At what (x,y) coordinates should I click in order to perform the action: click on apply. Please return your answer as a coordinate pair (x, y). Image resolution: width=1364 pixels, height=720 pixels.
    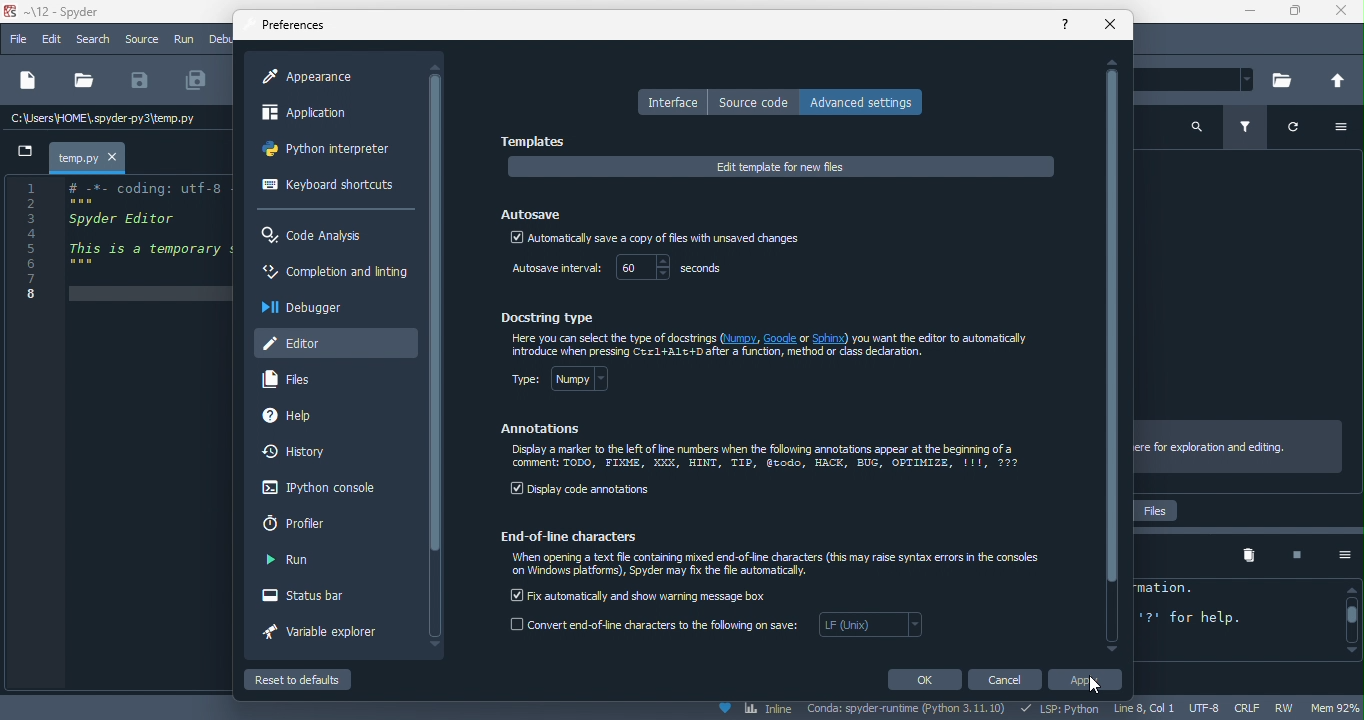
    Looking at the image, I should click on (1090, 682).